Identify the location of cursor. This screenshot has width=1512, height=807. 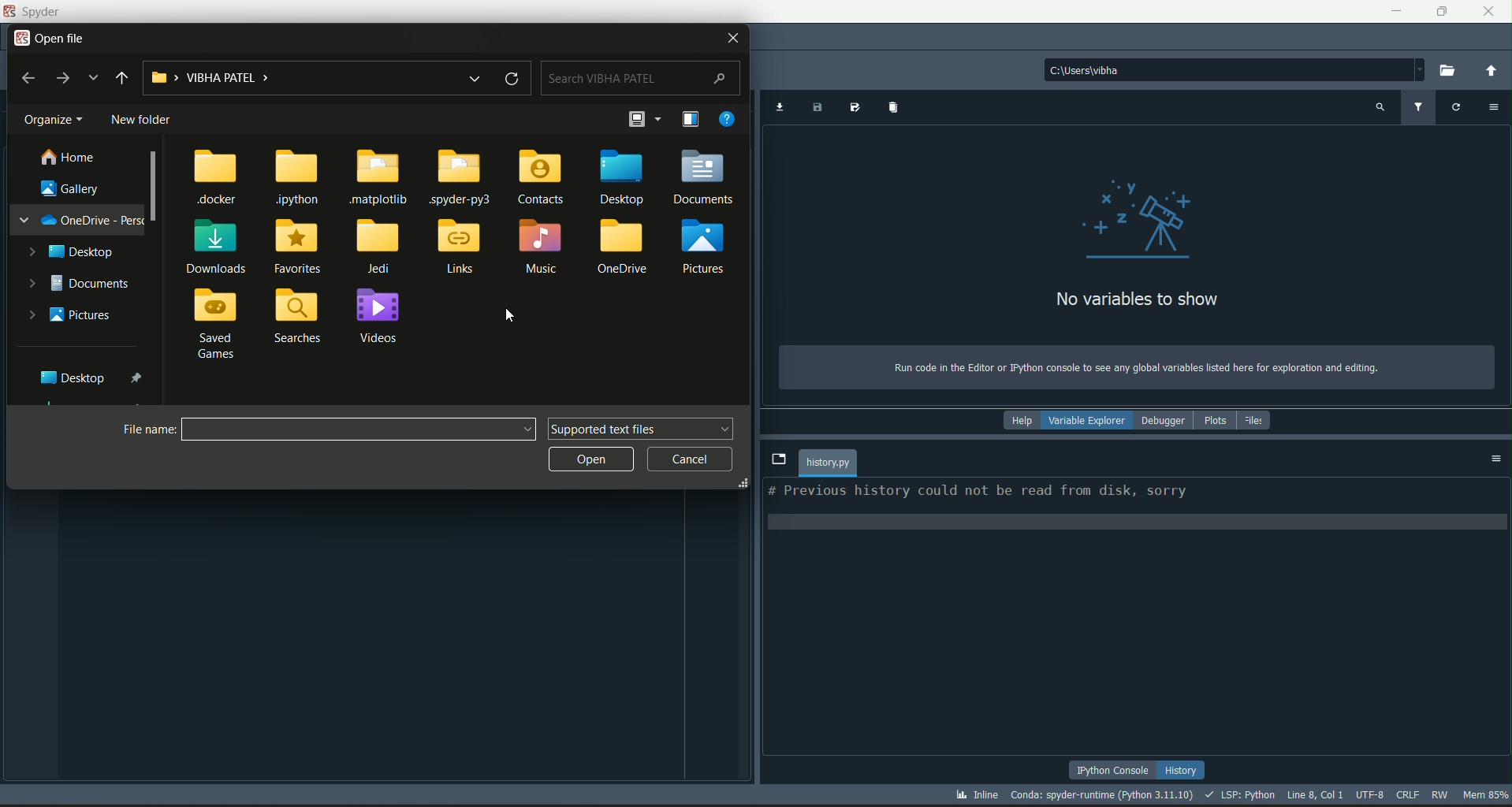
(512, 313).